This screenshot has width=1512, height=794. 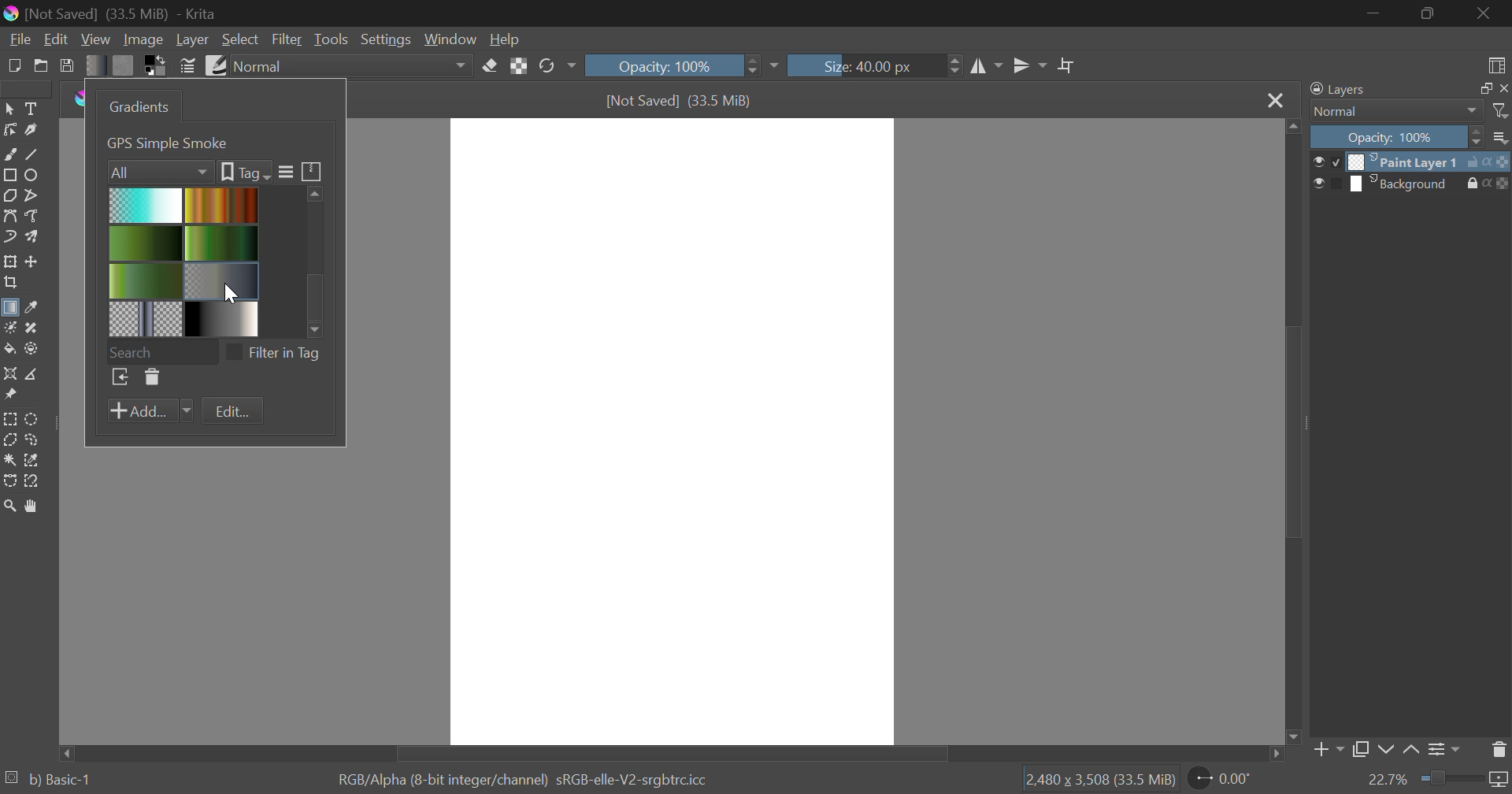 I want to click on Layer Settings, so click(x=1442, y=749).